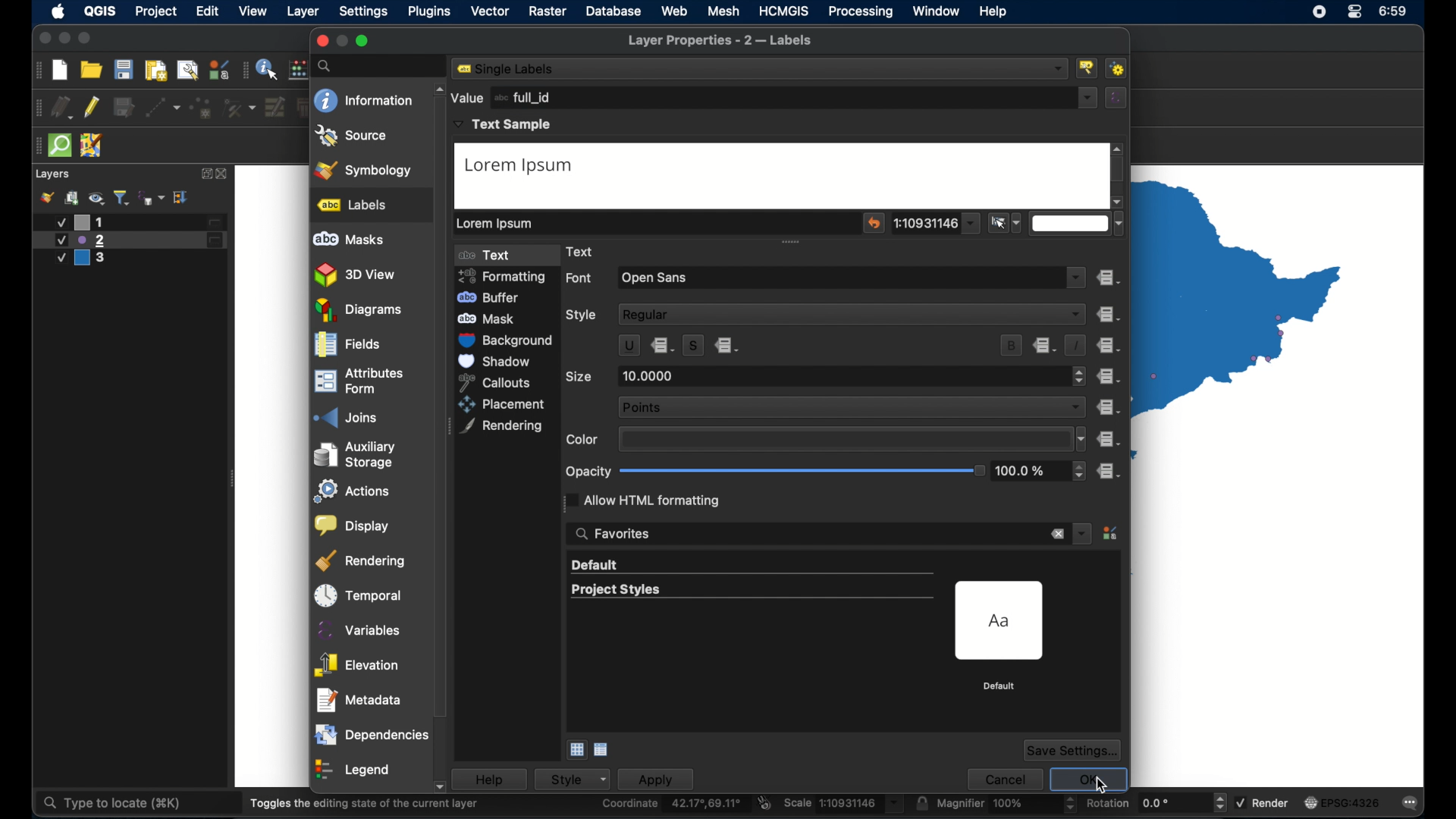 The image size is (1456, 819). Describe the element at coordinates (583, 440) in the screenshot. I see `color` at that location.